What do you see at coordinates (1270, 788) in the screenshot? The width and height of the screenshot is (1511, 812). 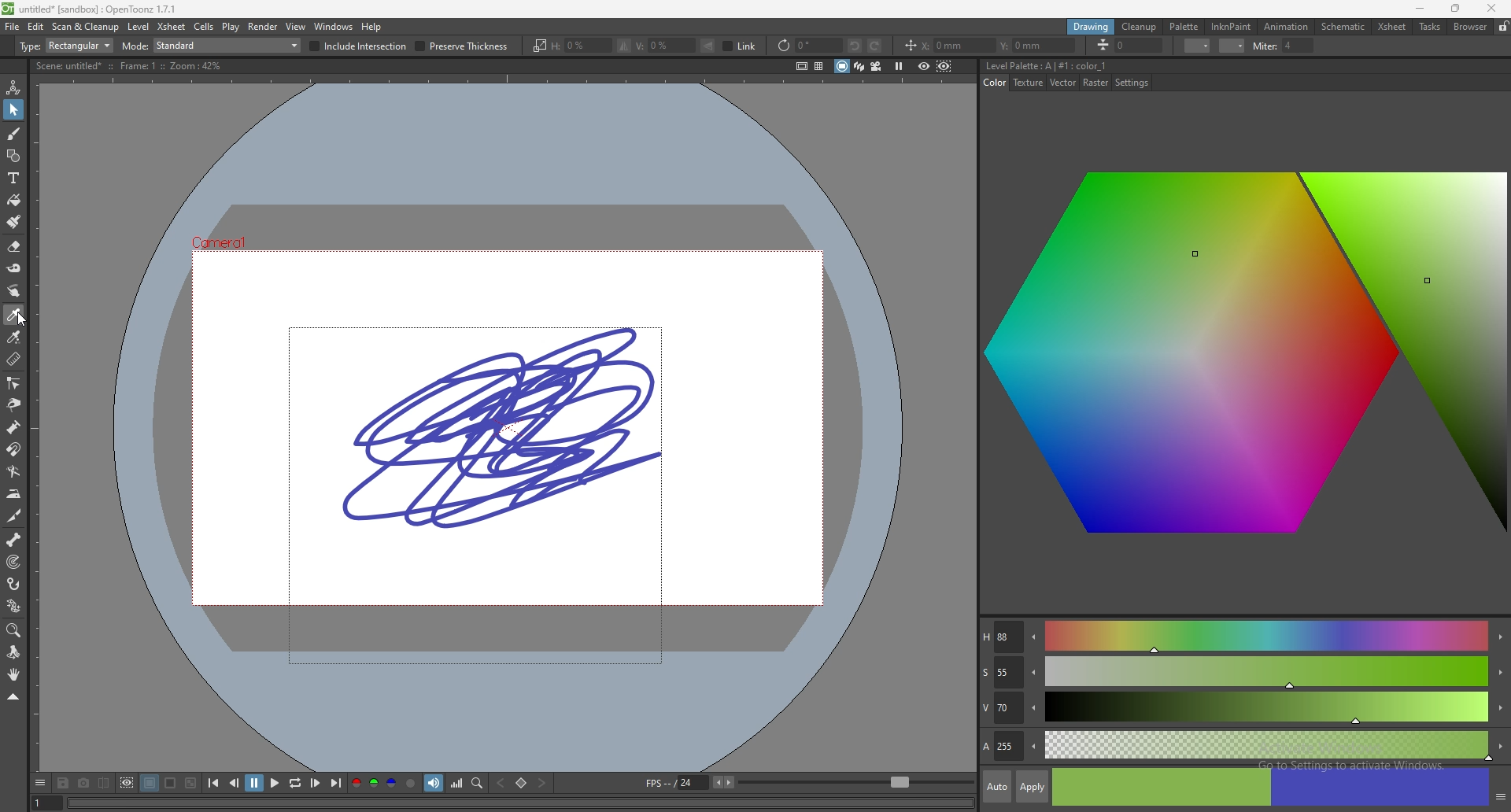 I see `color preview` at bounding box center [1270, 788].